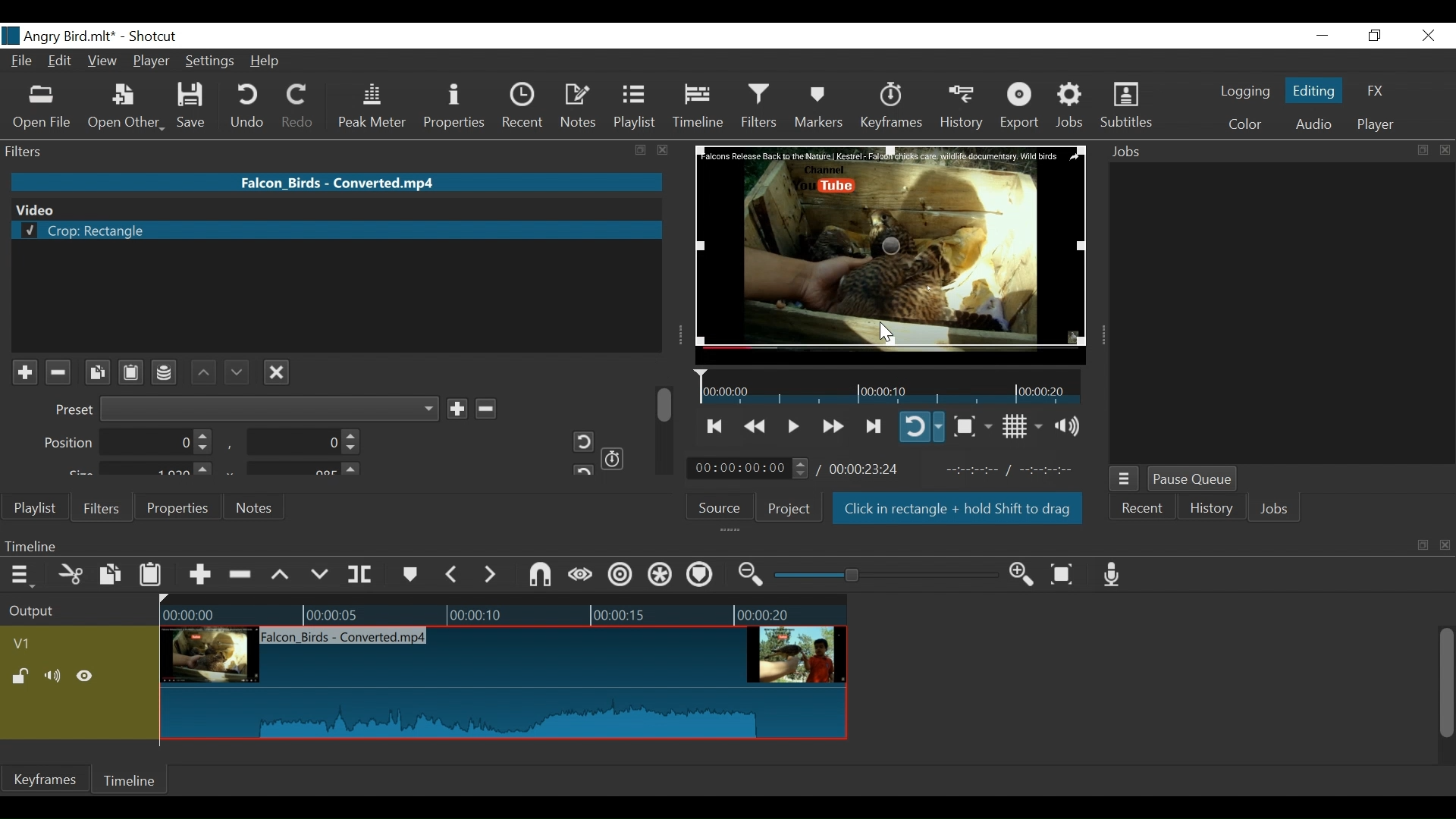 The width and height of the screenshot is (1456, 819). Describe the element at coordinates (129, 443) in the screenshot. I see `position` at that location.